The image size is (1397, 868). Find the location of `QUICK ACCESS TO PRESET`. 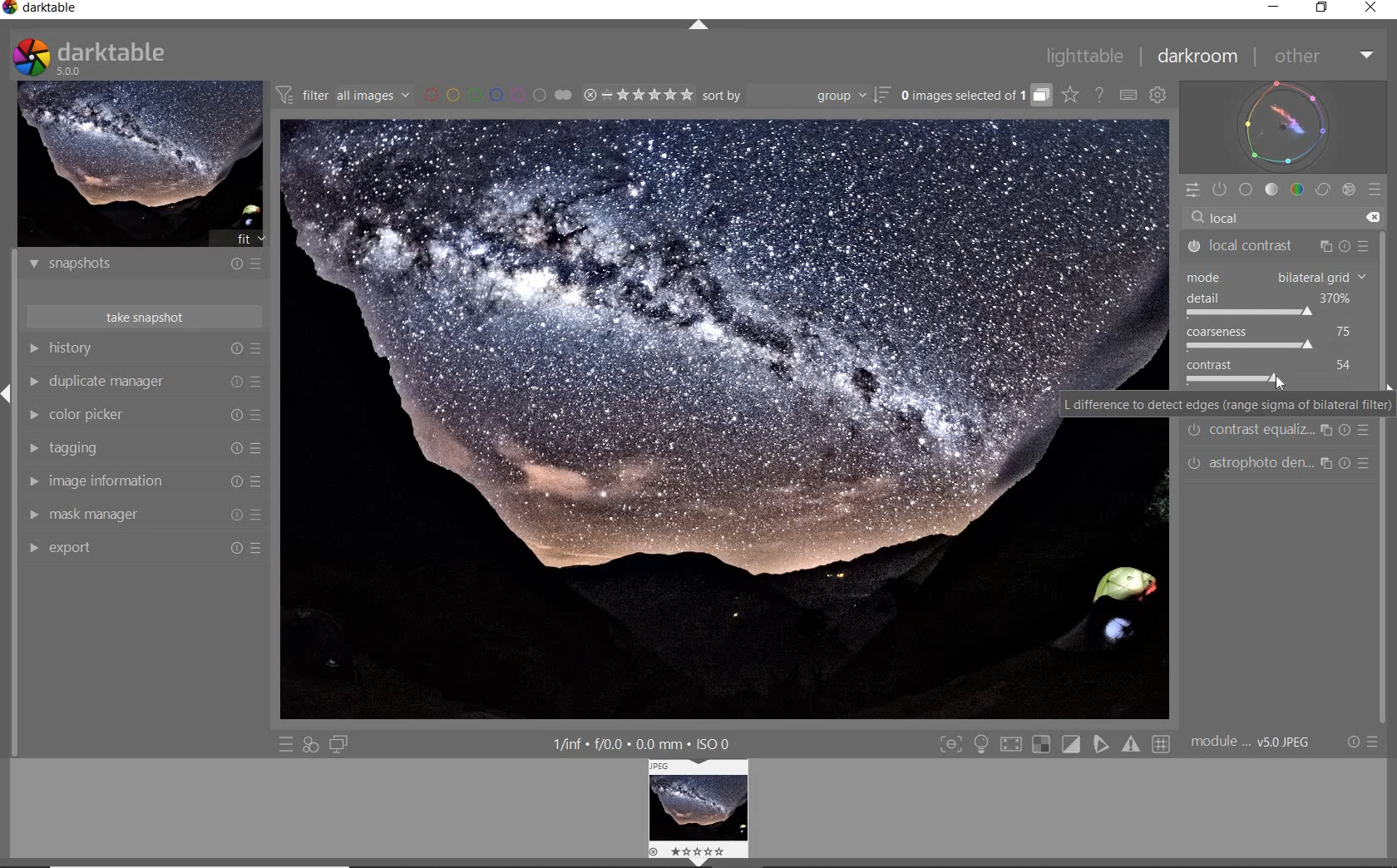

QUICK ACCESS TO PRESET is located at coordinates (288, 744).